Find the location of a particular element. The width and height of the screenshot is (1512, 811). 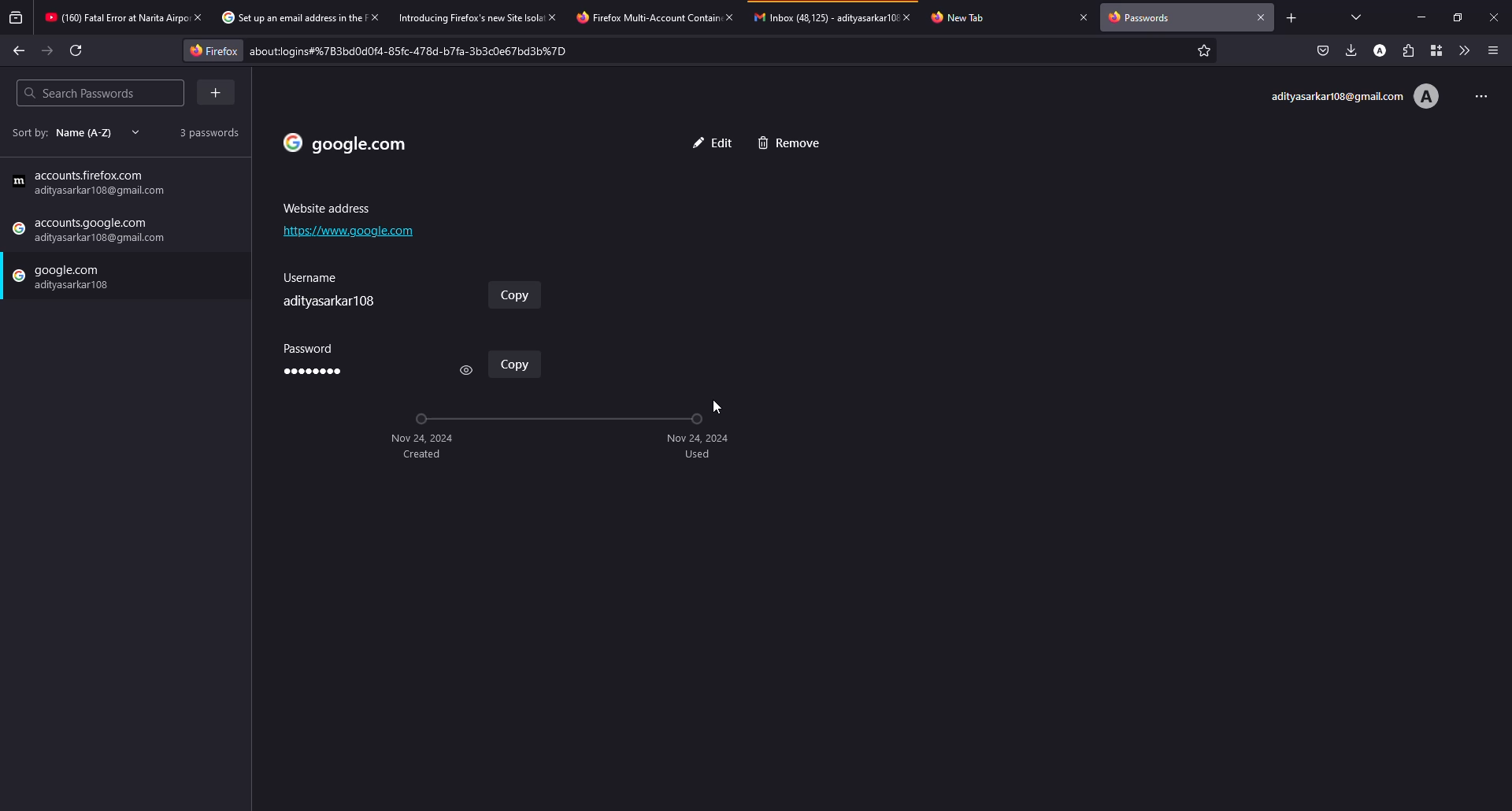

account is located at coordinates (1354, 97).